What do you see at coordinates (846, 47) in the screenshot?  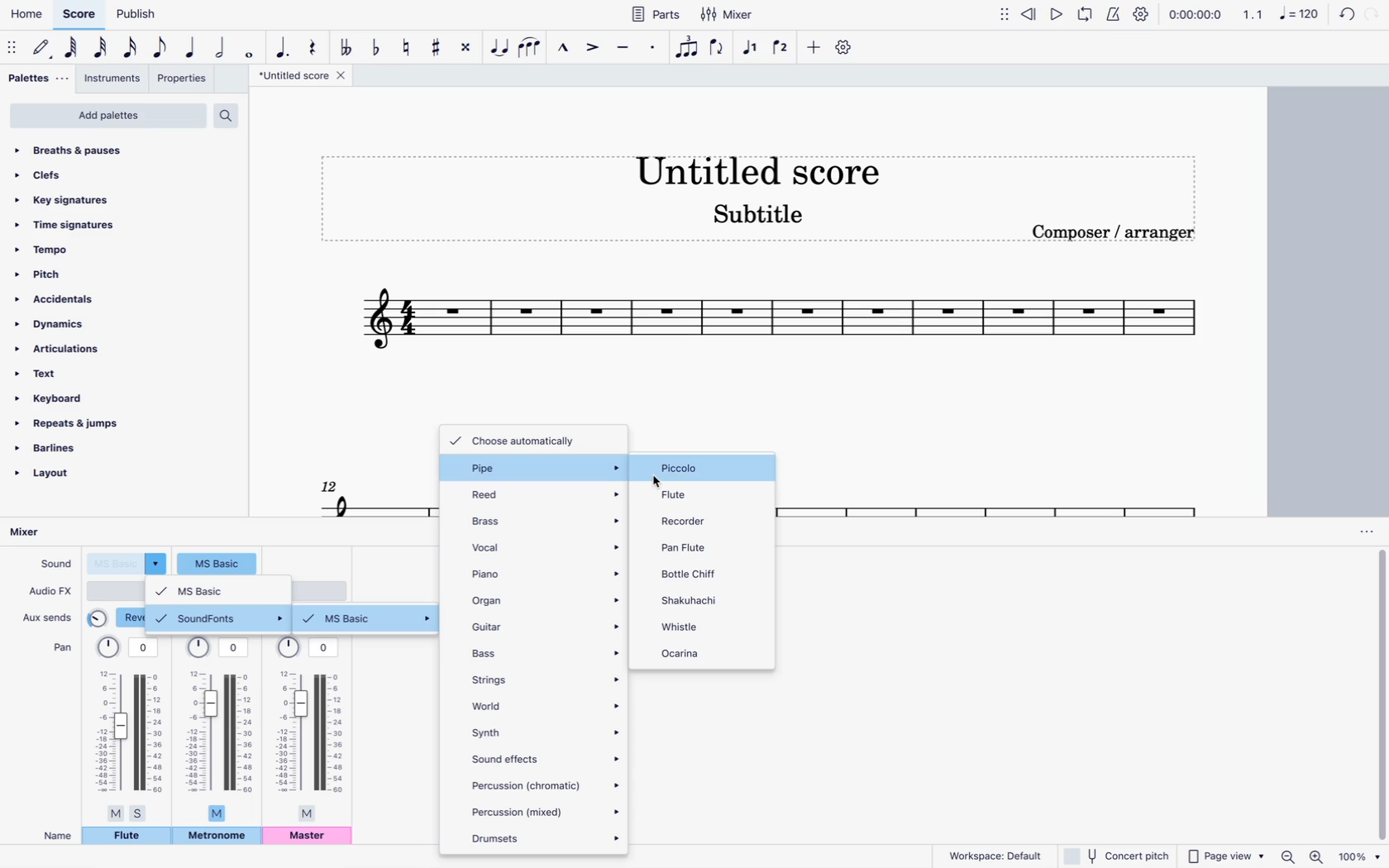 I see `settings` at bounding box center [846, 47].